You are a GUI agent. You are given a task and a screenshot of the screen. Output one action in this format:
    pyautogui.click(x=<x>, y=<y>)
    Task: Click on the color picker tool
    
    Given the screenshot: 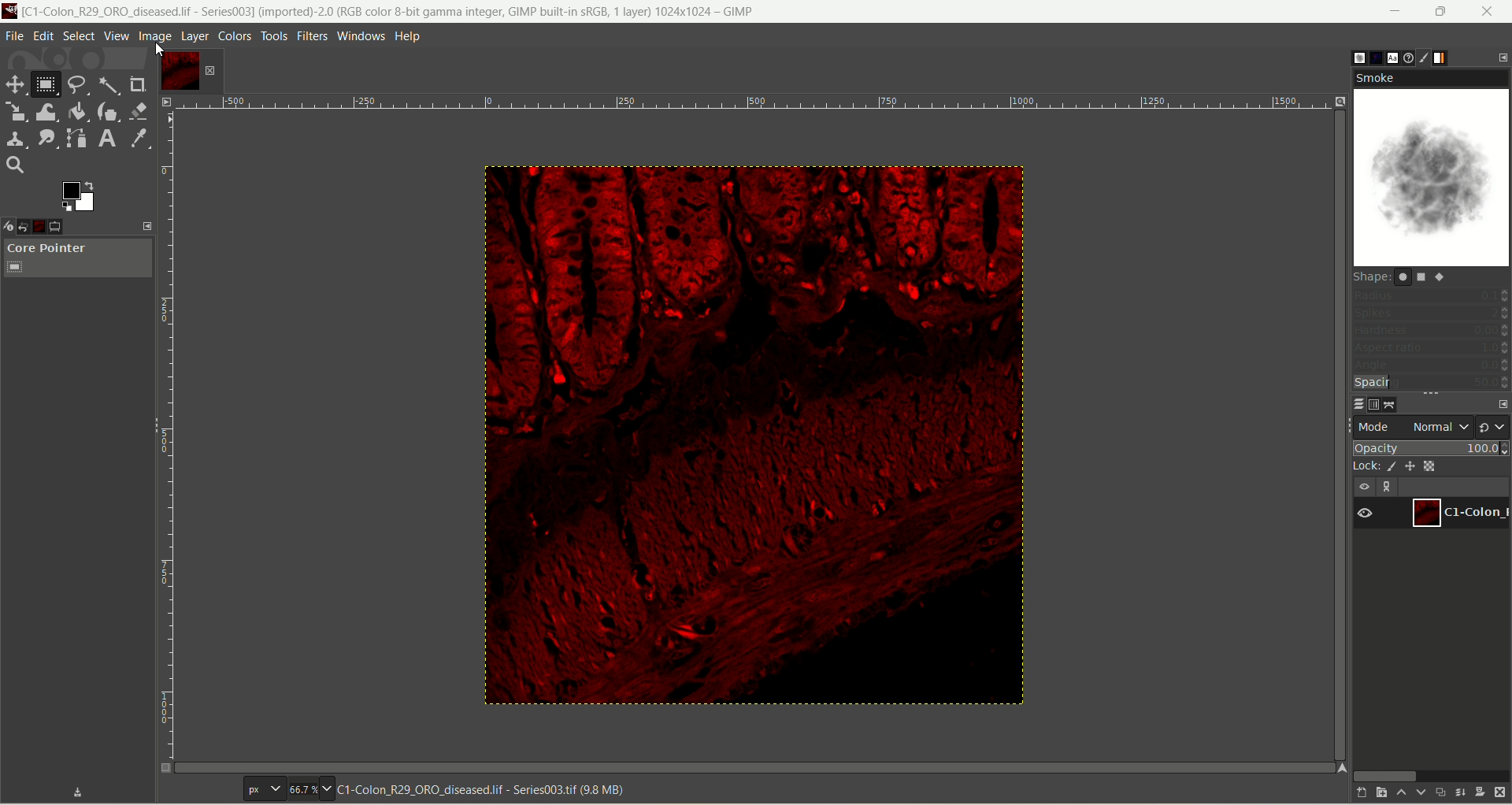 What is the action you would take?
    pyautogui.click(x=138, y=139)
    